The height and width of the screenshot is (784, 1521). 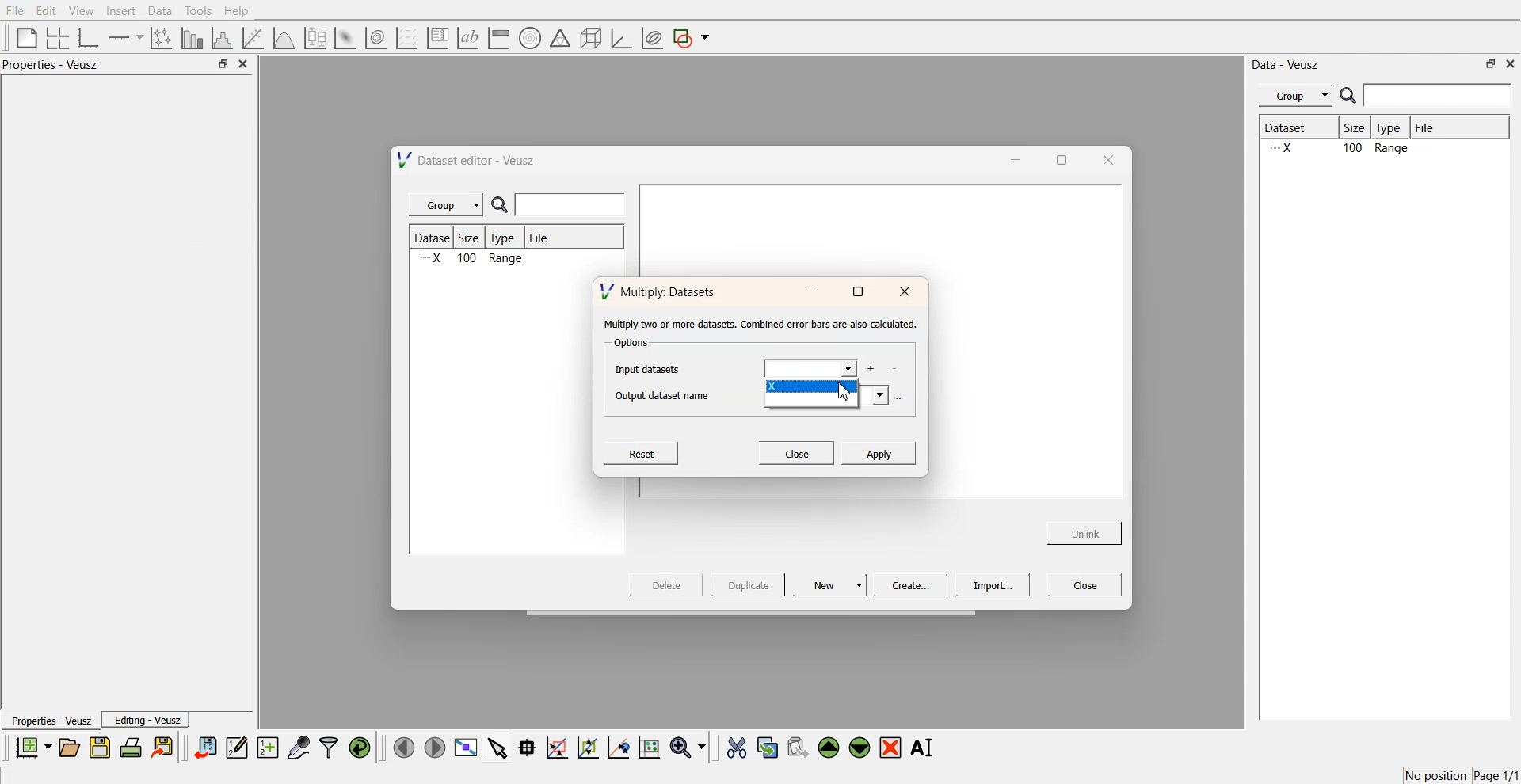 What do you see at coordinates (811, 292) in the screenshot?
I see `minimise` at bounding box center [811, 292].